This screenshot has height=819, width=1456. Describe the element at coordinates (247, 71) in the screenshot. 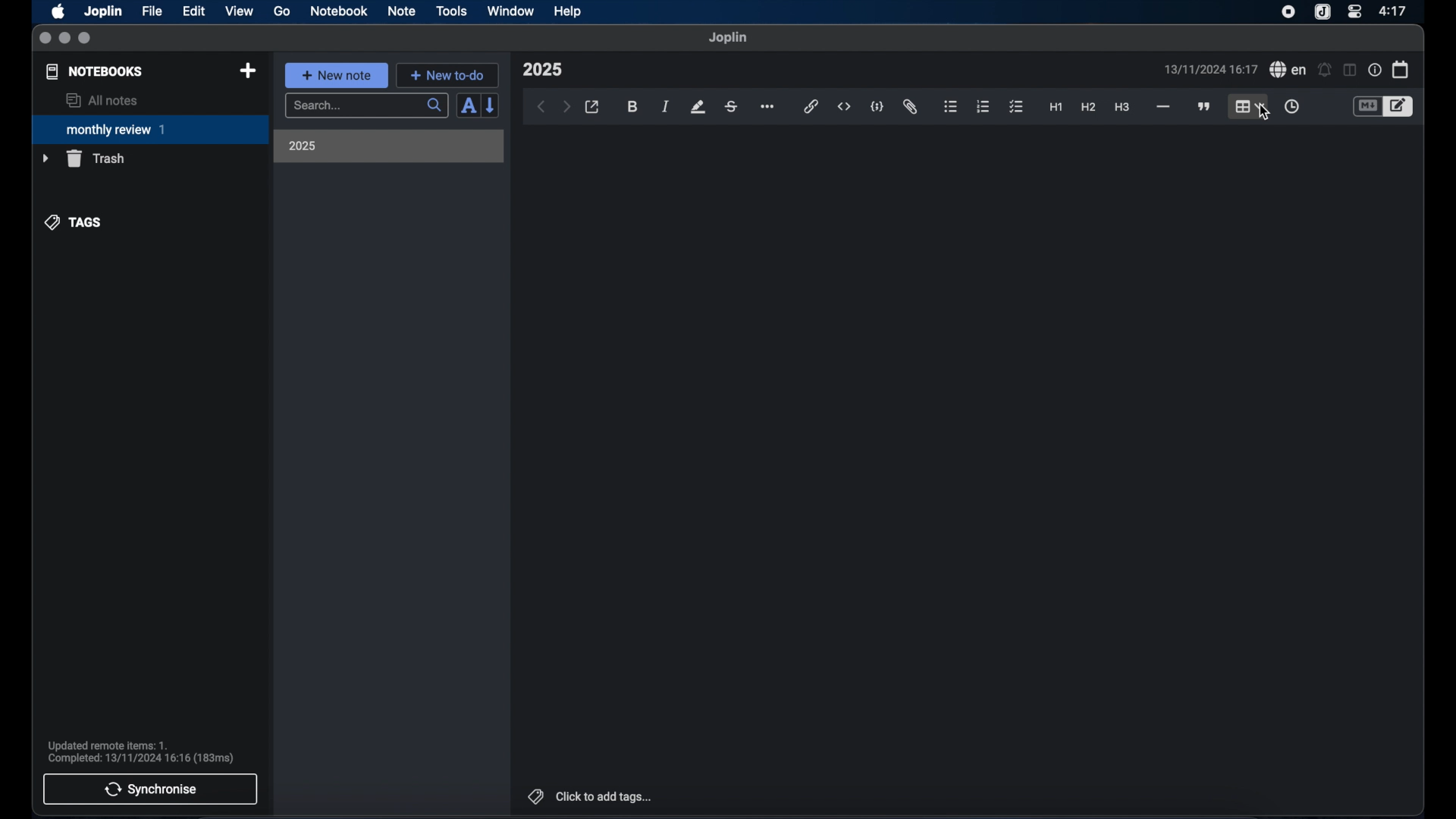

I see `new notebook` at that location.